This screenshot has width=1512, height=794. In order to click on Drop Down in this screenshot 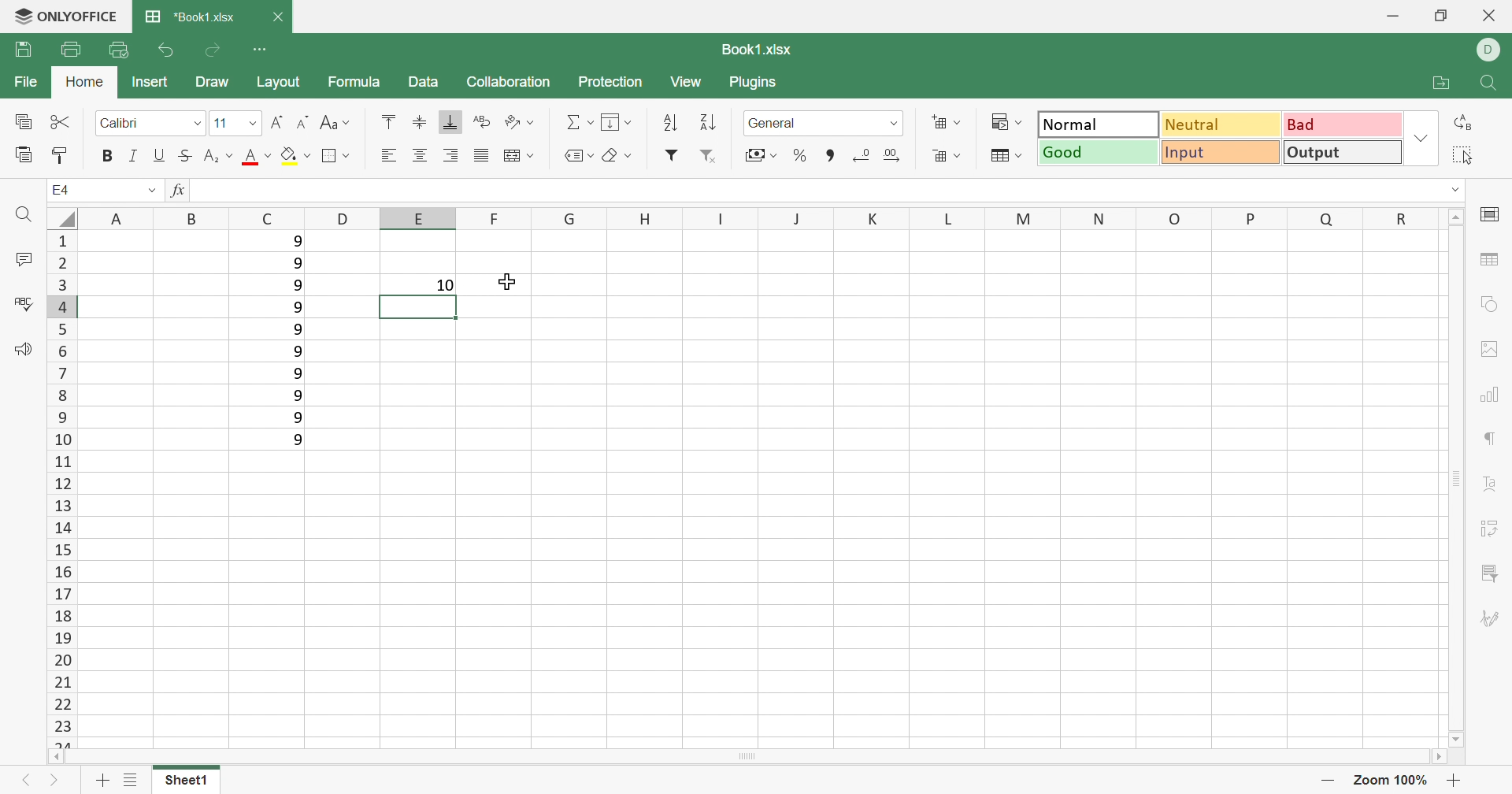, I will do `click(895, 124)`.